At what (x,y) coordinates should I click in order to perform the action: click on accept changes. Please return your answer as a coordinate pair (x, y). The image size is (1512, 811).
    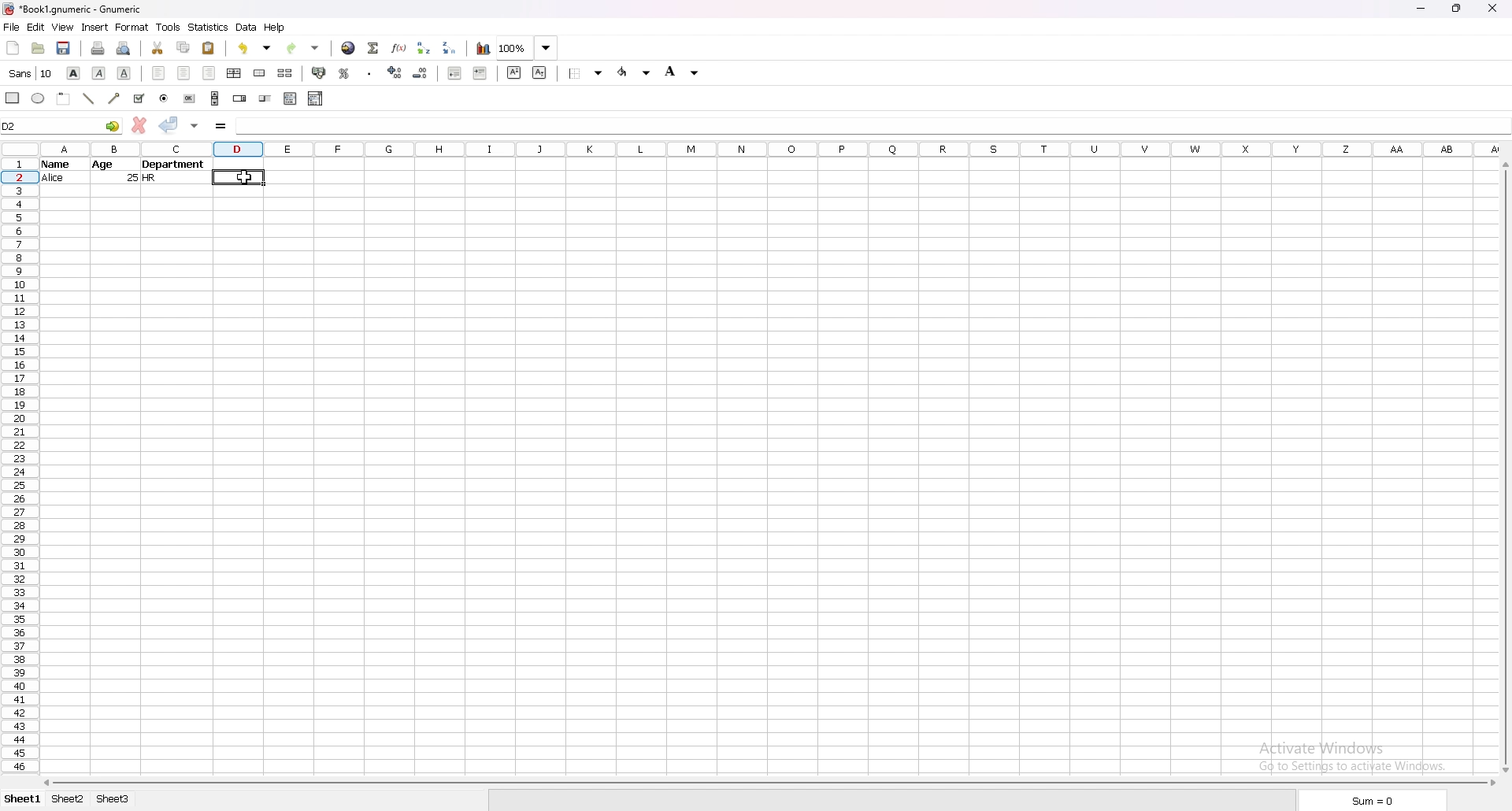
    Looking at the image, I should click on (169, 124).